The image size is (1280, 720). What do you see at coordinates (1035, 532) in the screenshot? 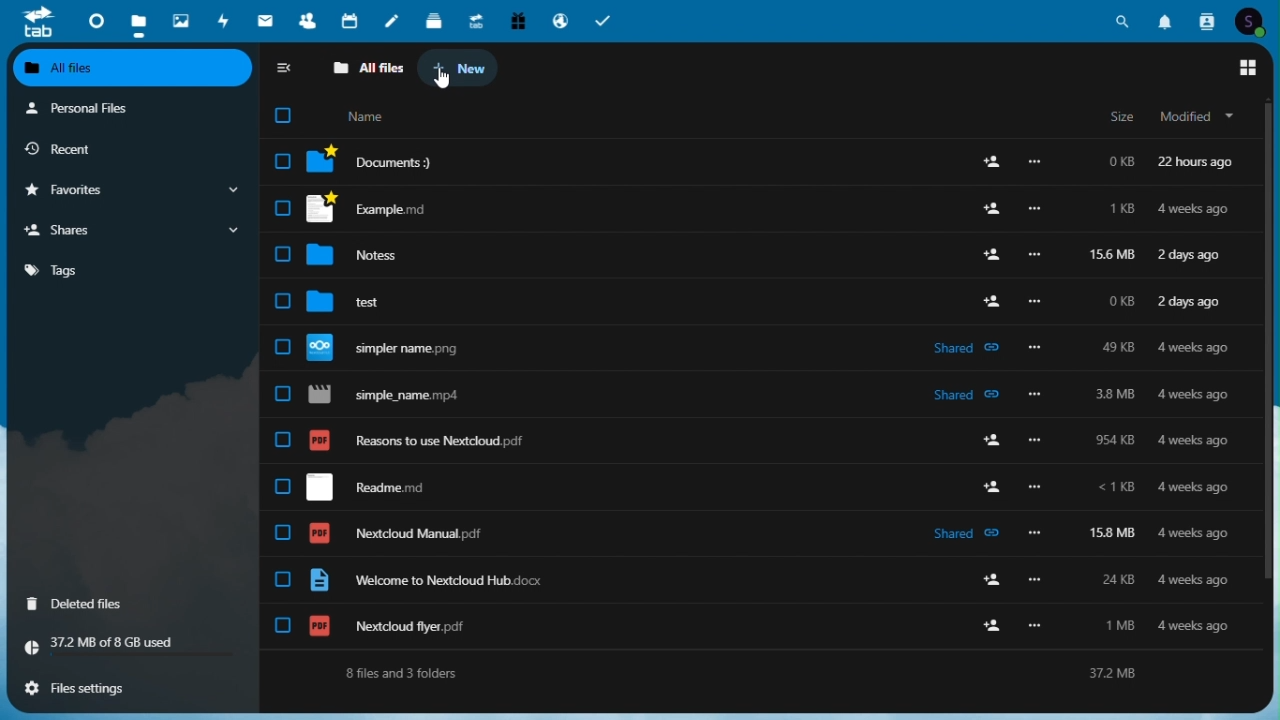
I see `more options` at bounding box center [1035, 532].